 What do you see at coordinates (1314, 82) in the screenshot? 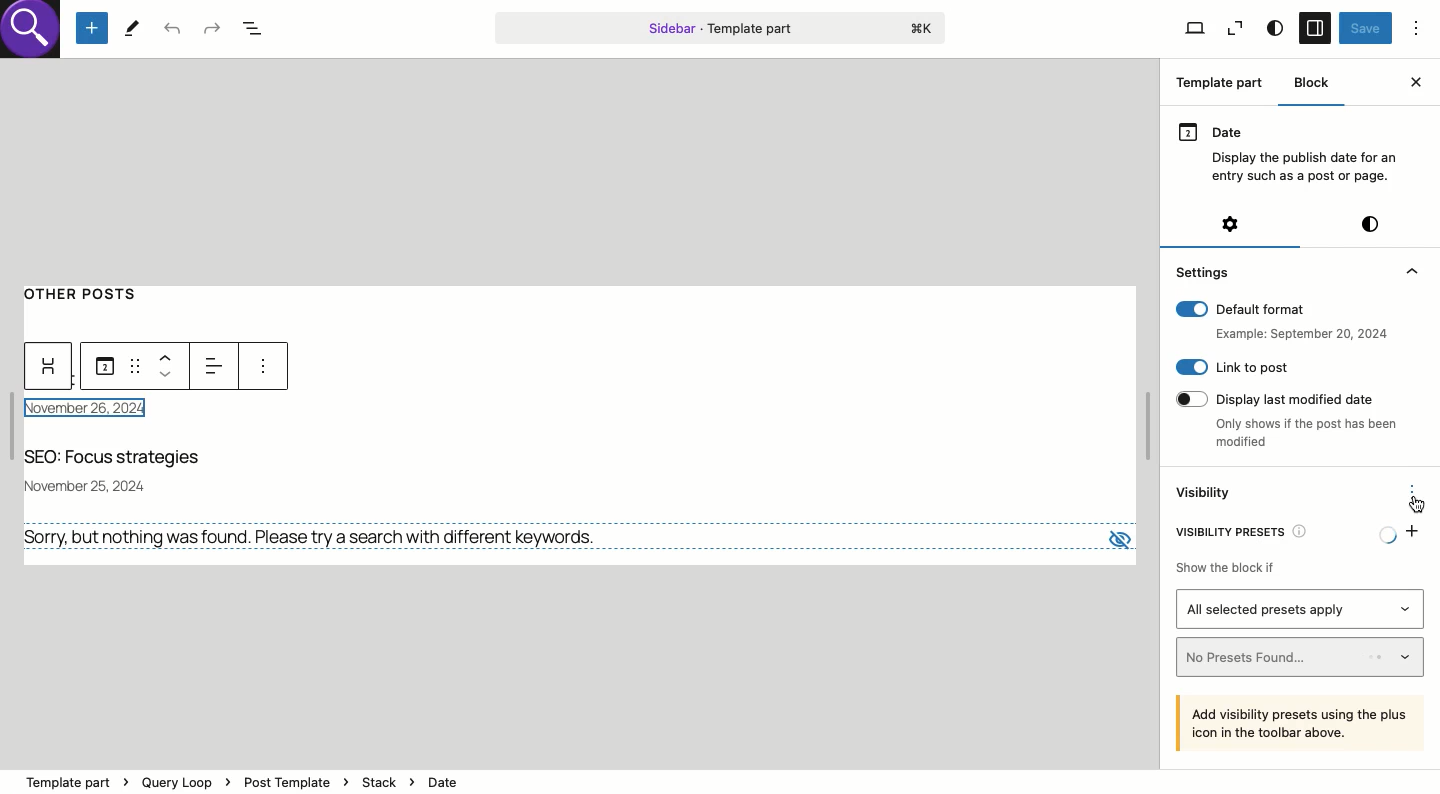
I see `Block ` at bounding box center [1314, 82].